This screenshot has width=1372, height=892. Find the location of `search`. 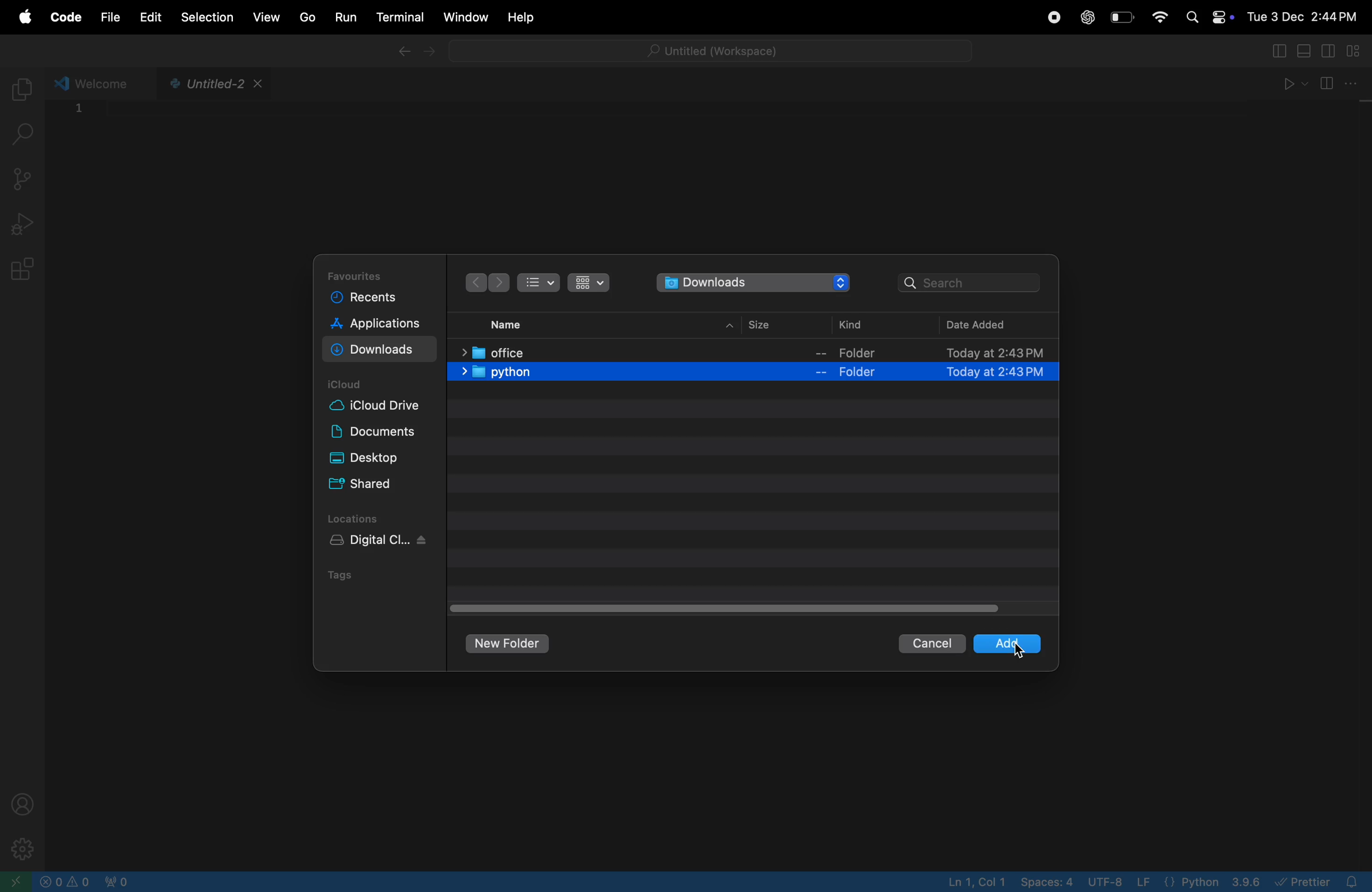

search is located at coordinates (24, 138).